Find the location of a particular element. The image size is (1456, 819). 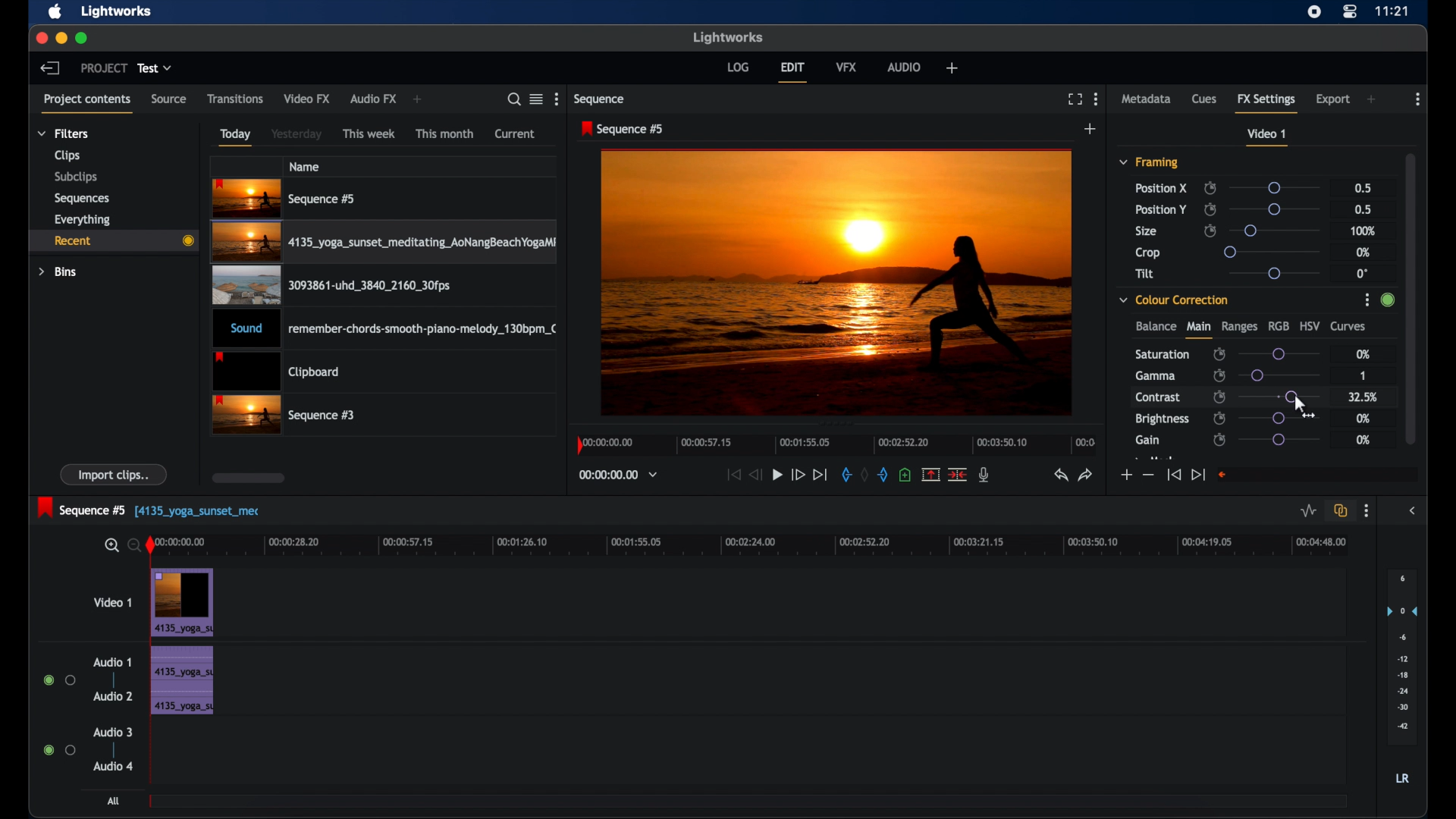

framing is located at coordinates (1148, 162).